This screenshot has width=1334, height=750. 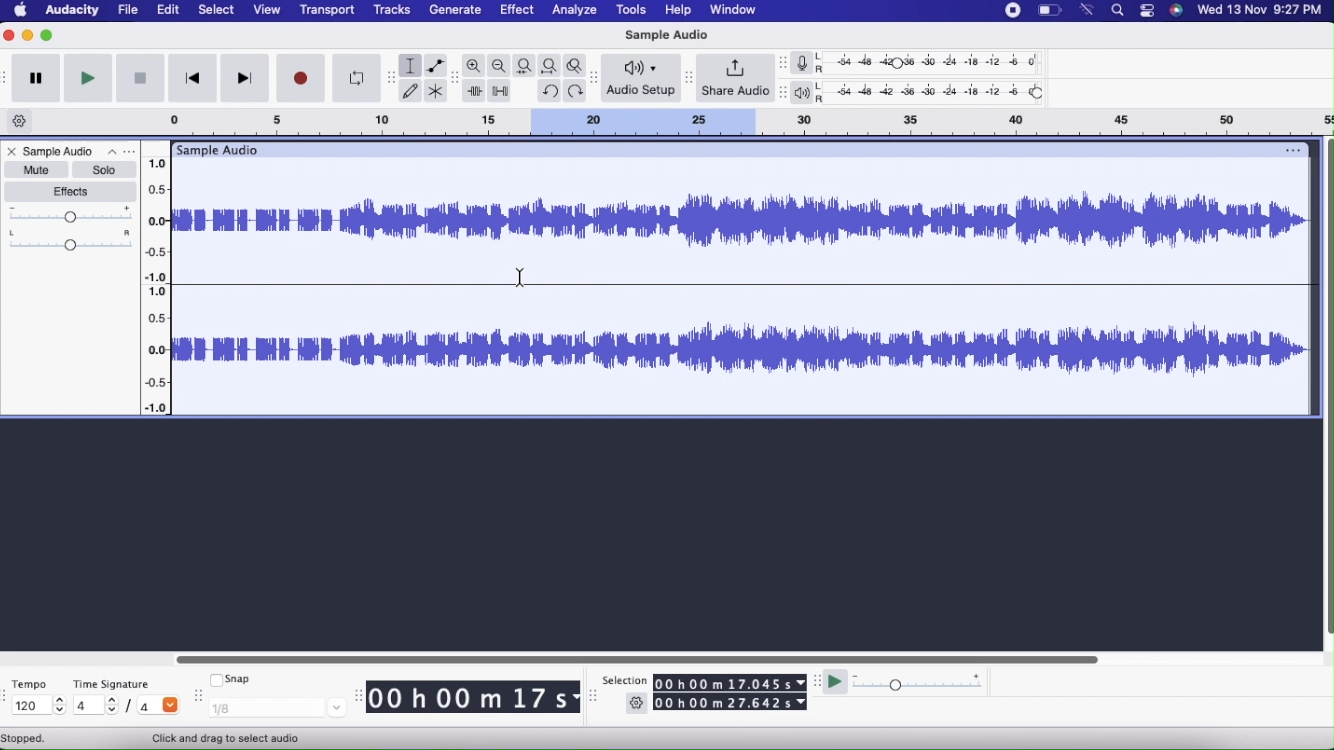 What do you see at coordinates (837, 685) in the screenshot?
I see `Play at speed` at bounding box center [837, 685].